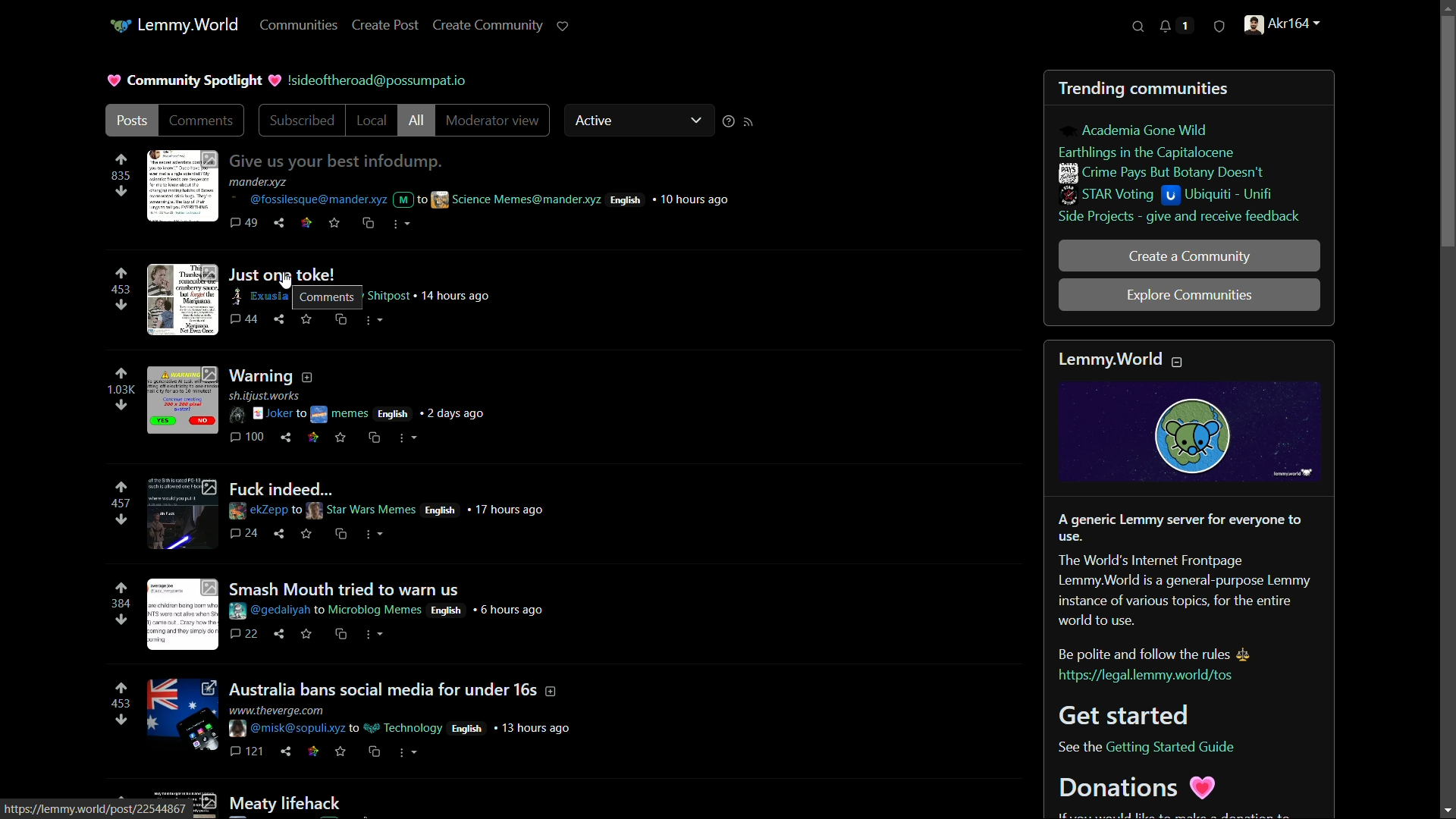  What do you see at coordinates (727, 121) in the screenshot?
I see `sorting help` at bounding box center [727, 121].